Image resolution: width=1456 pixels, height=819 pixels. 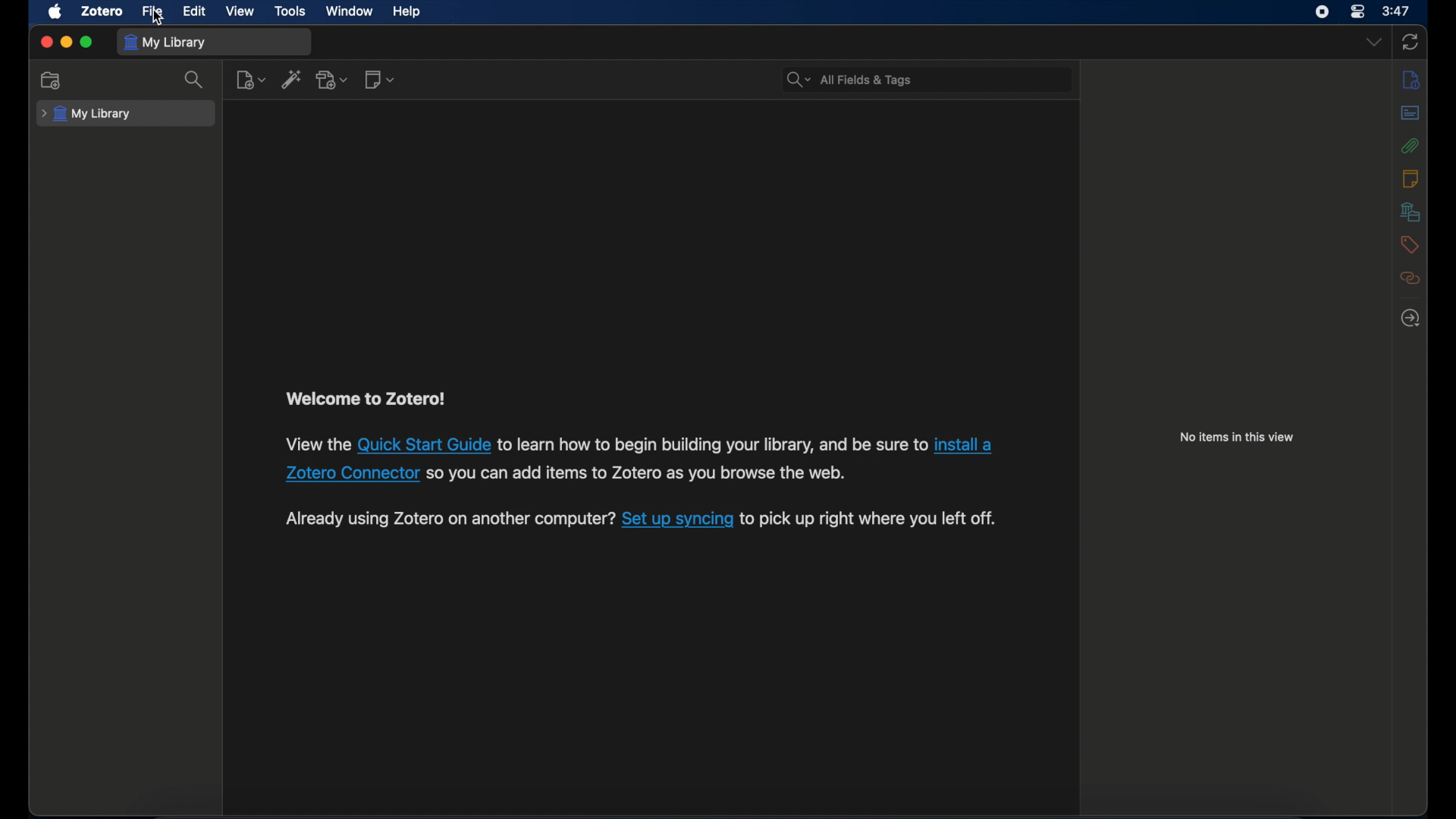 What do you see at coordinates (152, 11) in the screenshot?
I see `file` at bounding box center [152, 11].